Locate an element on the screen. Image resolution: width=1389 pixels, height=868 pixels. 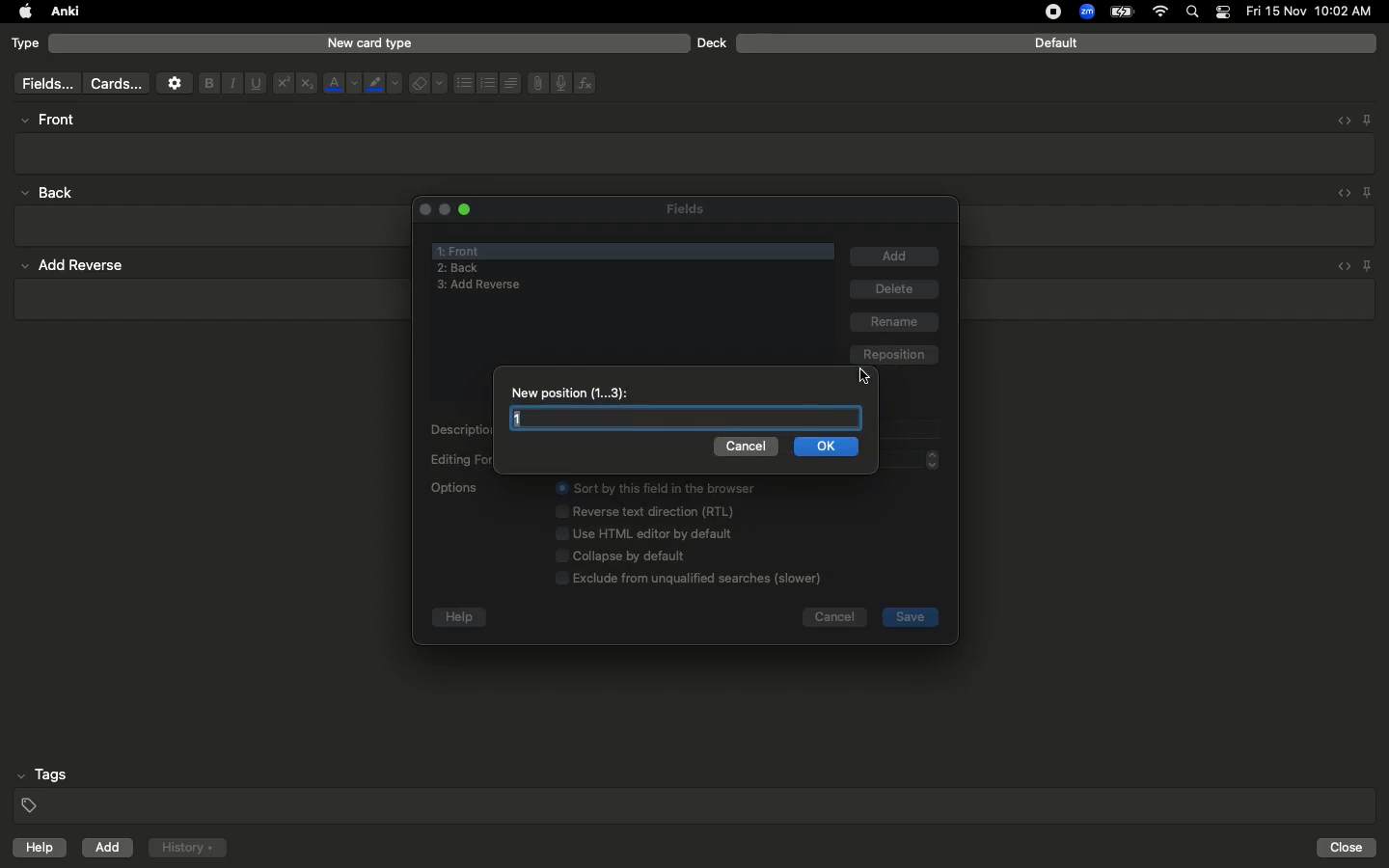
help is located at coordinates (36, 850).